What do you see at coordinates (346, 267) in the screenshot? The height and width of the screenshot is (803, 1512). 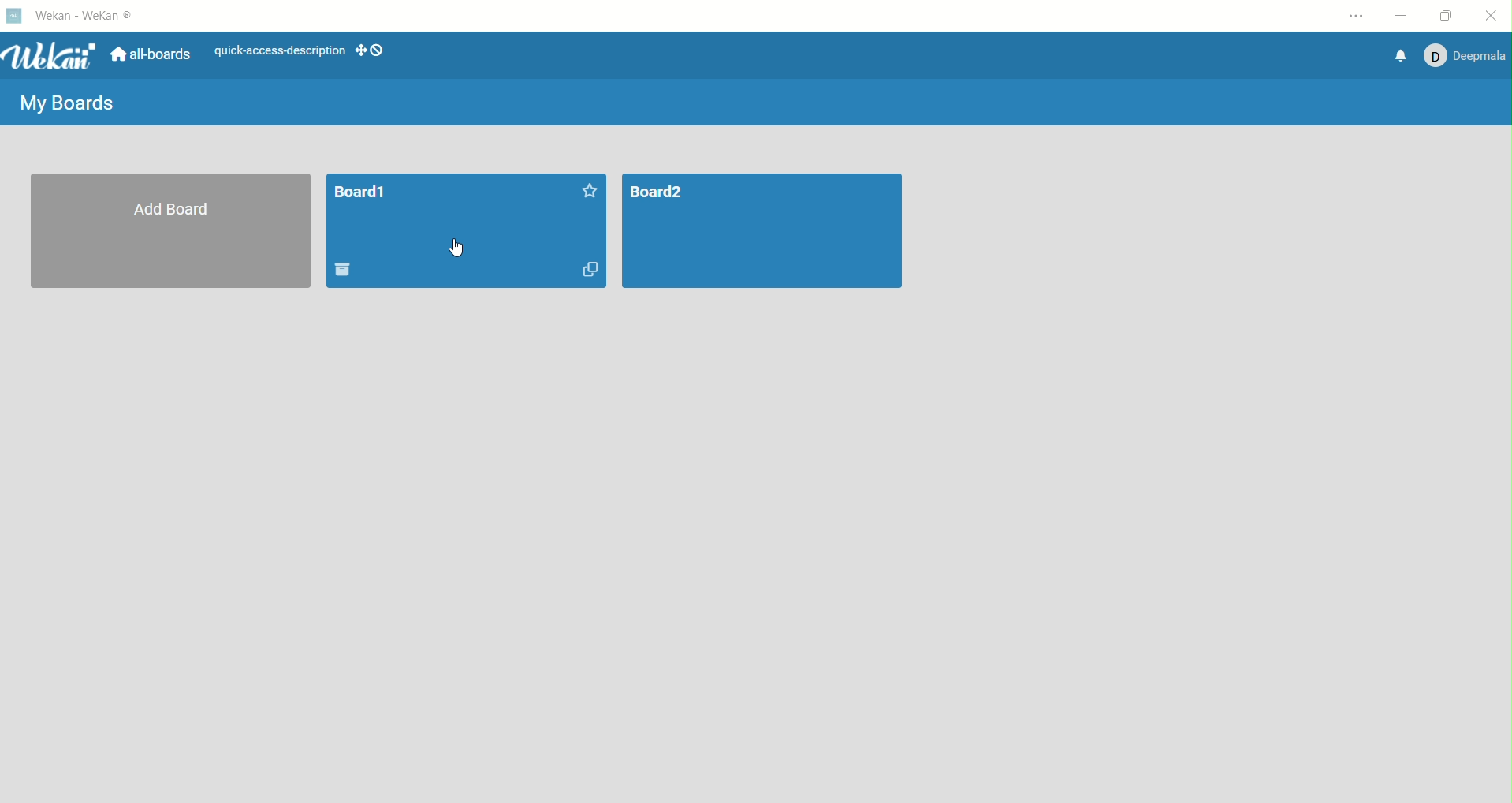 I see `delete` at bounding box center [346, 267].